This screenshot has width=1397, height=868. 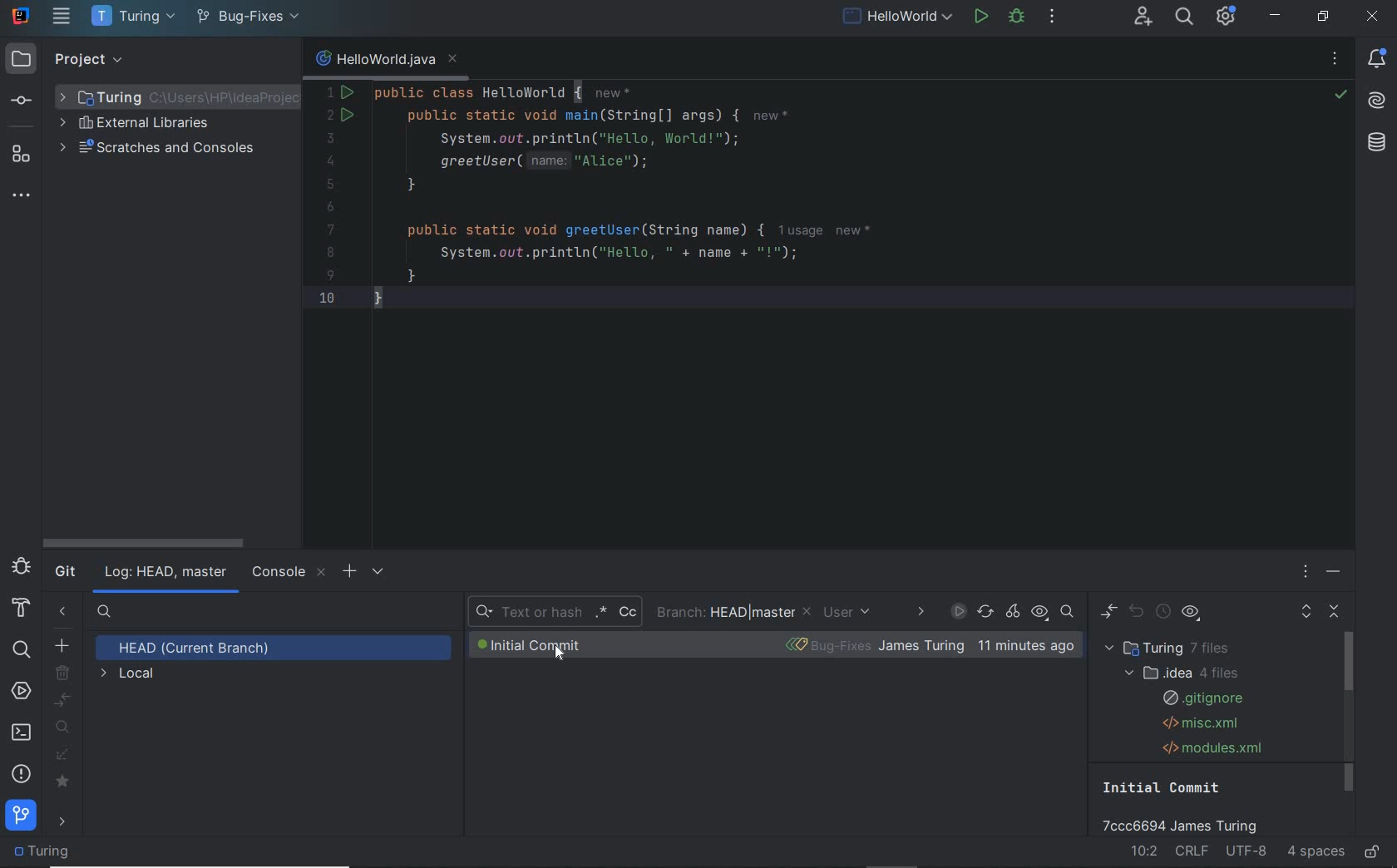 What do you see at coordinates (1350, 713) in the screenshot?
I see `scrollbar` at bounding box center [1350, 713].